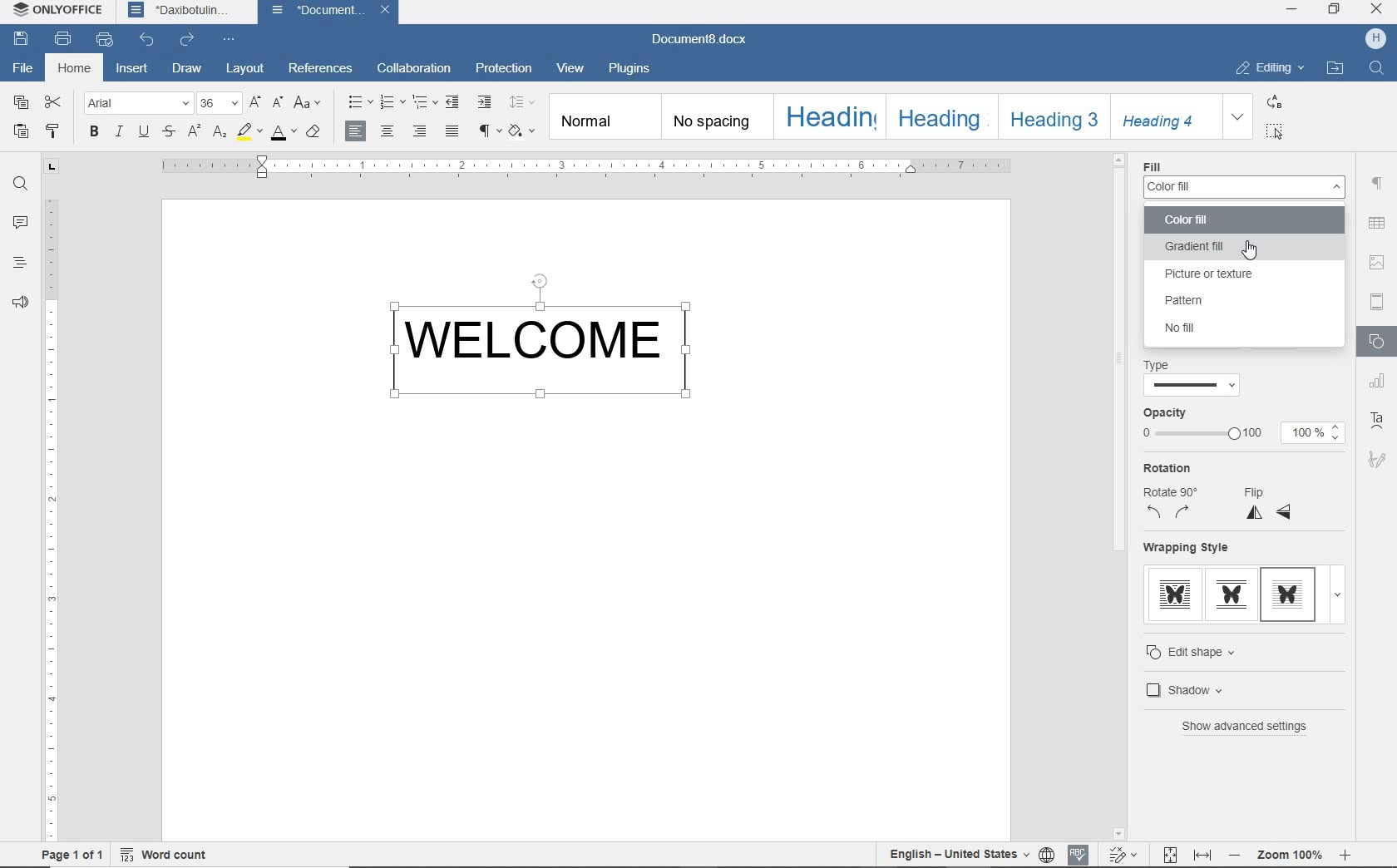  Describe the element at coordinates (1167, 468) in the screenshot. I see `Rotation` at that location.